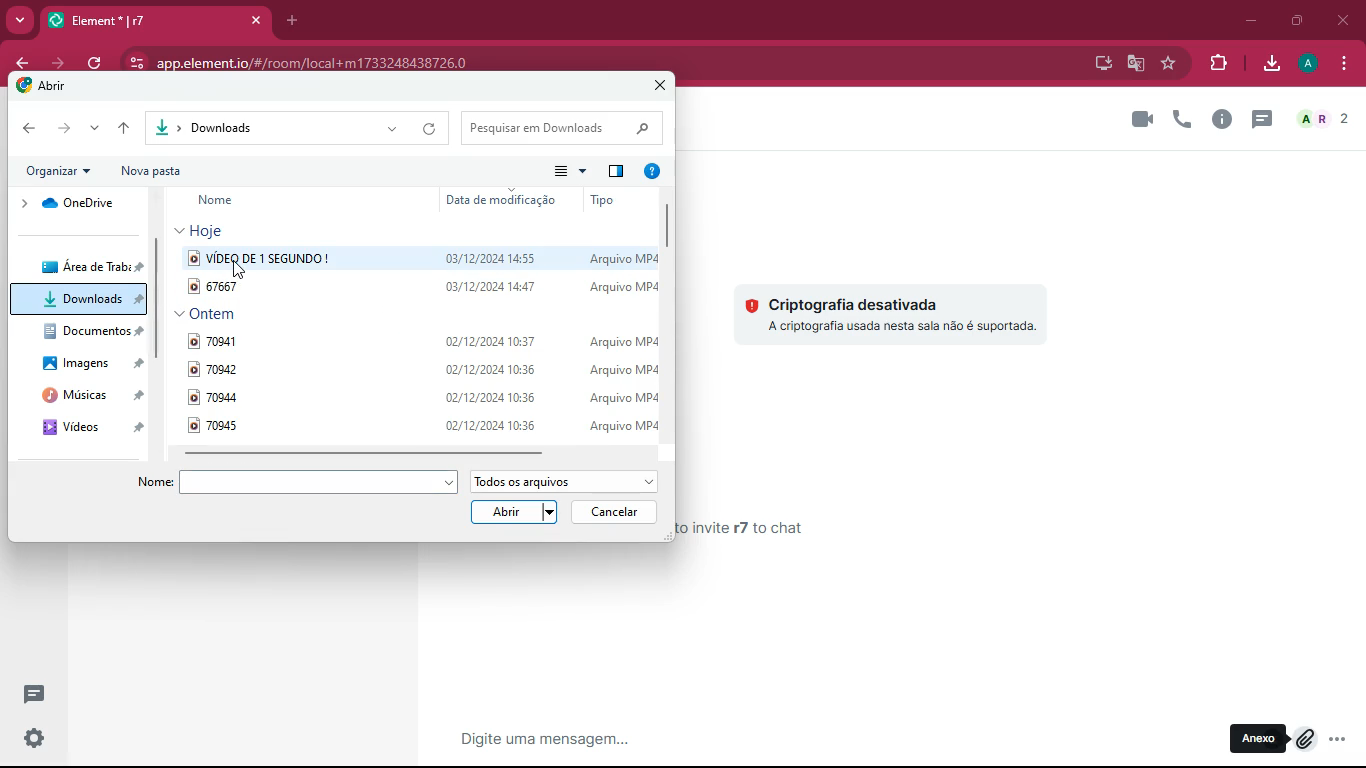 The image size is (1366, 768). Describe the element at coordinates (668, 224) in the screenshot. I see `vertical scrollbar` at that location.